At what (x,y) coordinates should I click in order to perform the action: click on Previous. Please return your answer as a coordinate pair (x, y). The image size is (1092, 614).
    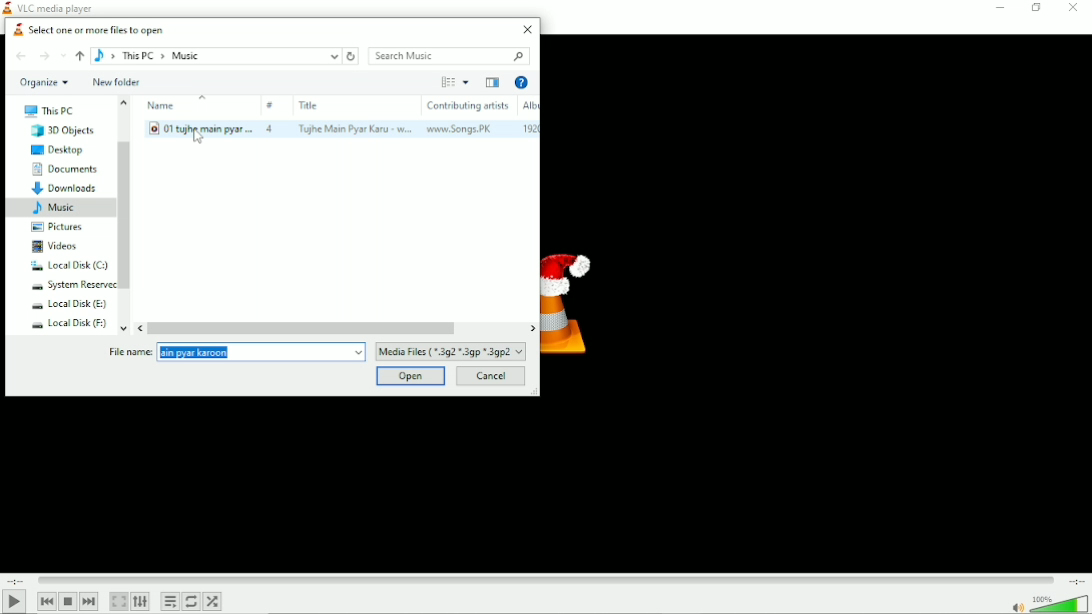
    Looking at the image, I should click on (43, 601).